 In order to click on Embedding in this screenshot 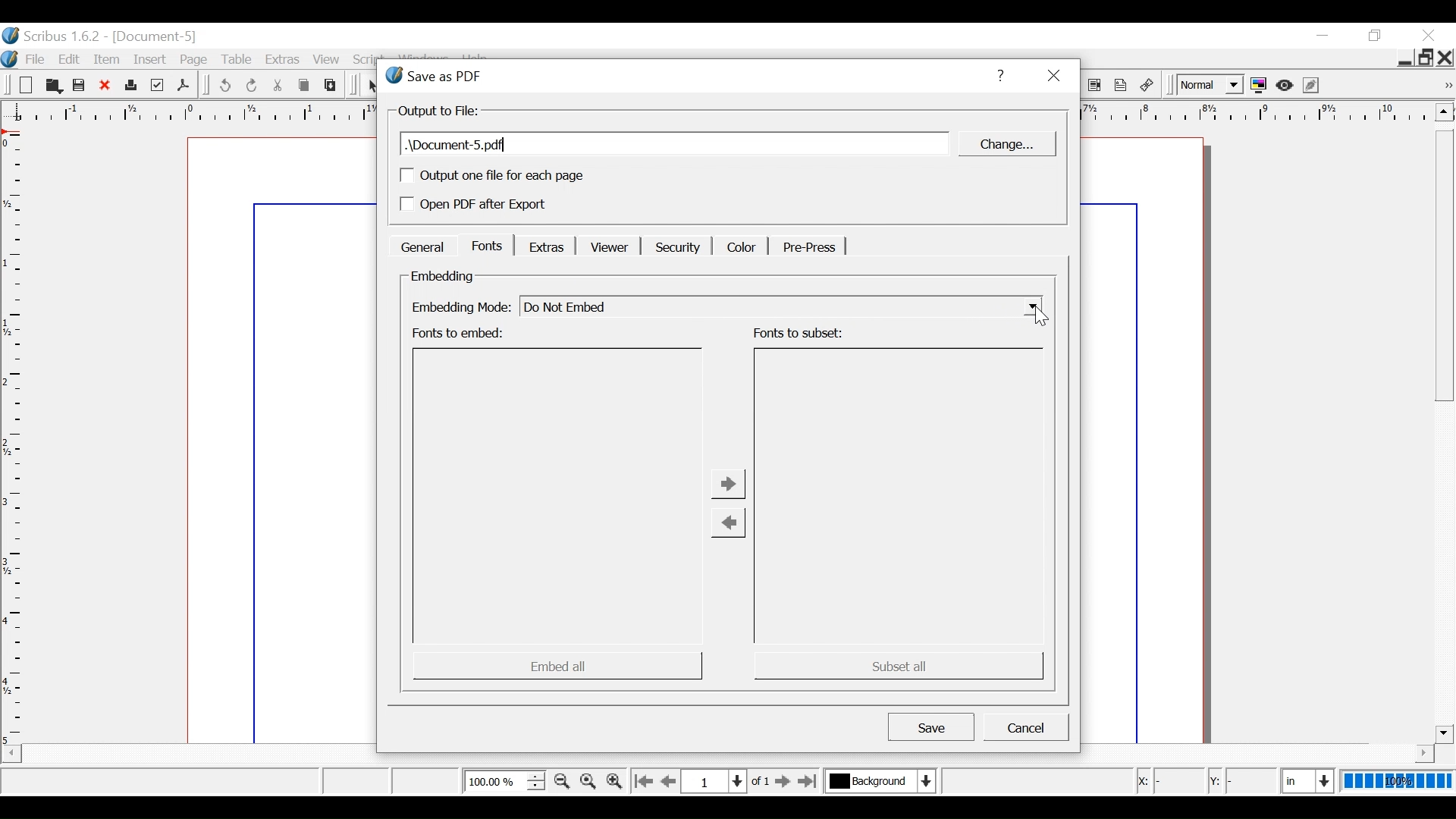, I will do `click(443, 277)`.